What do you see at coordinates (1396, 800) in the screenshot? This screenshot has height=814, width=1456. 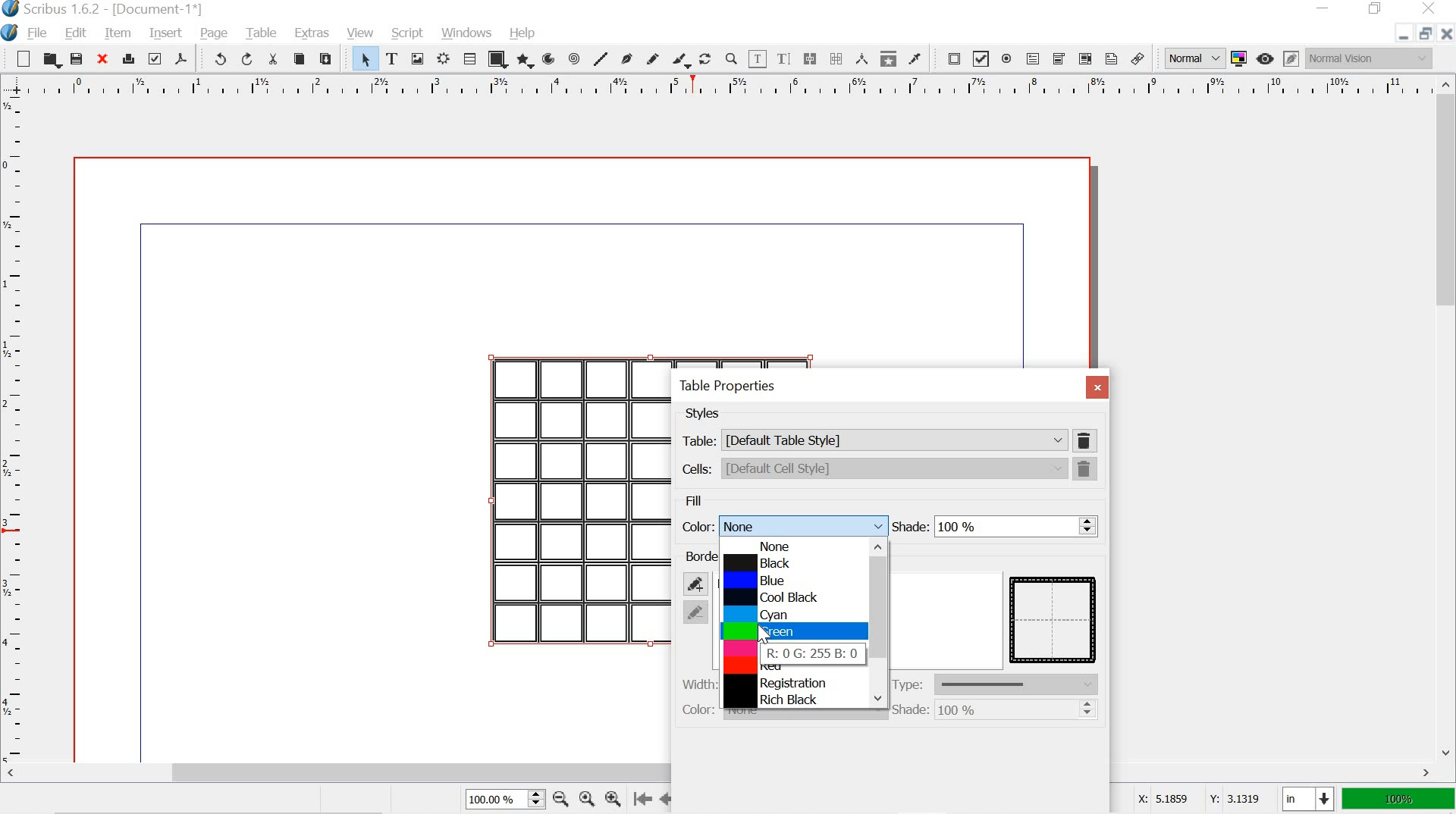 I see `100%` at bounding box center [1396, 800].